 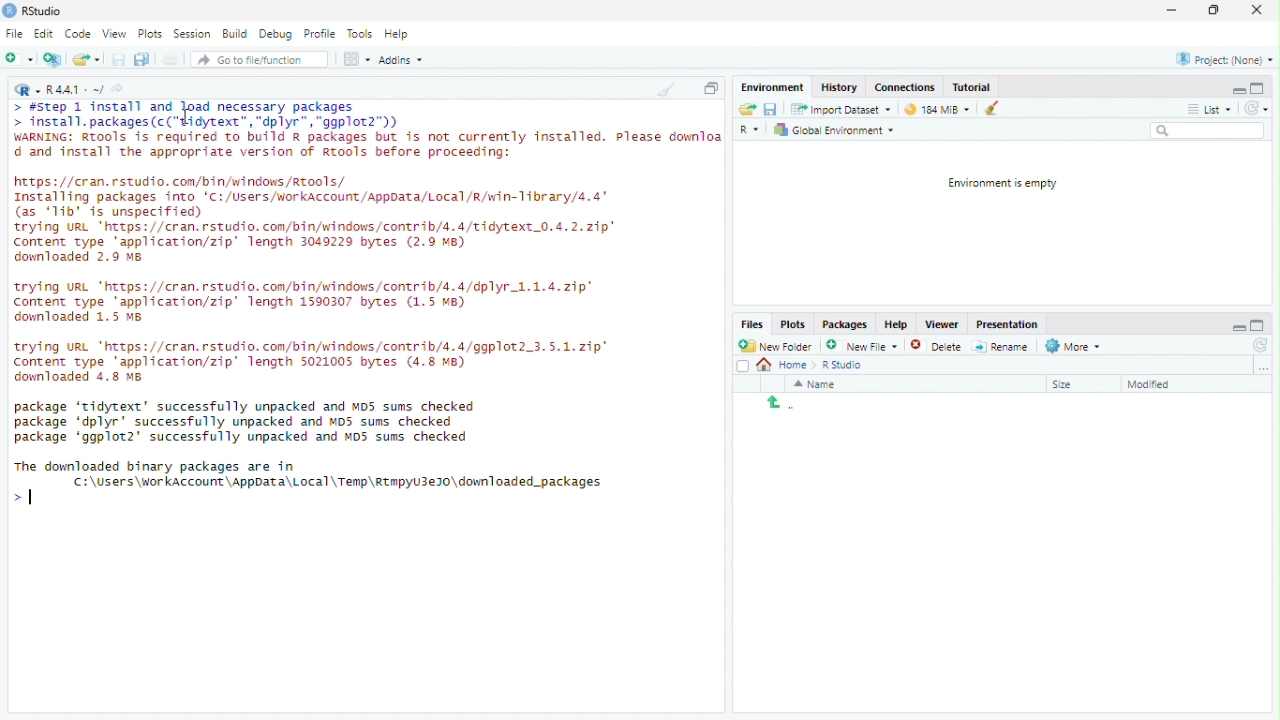 What do you see at coordinates (276, 32) in the screenshot?
I see `Debug` at bounding box center [276, 32].